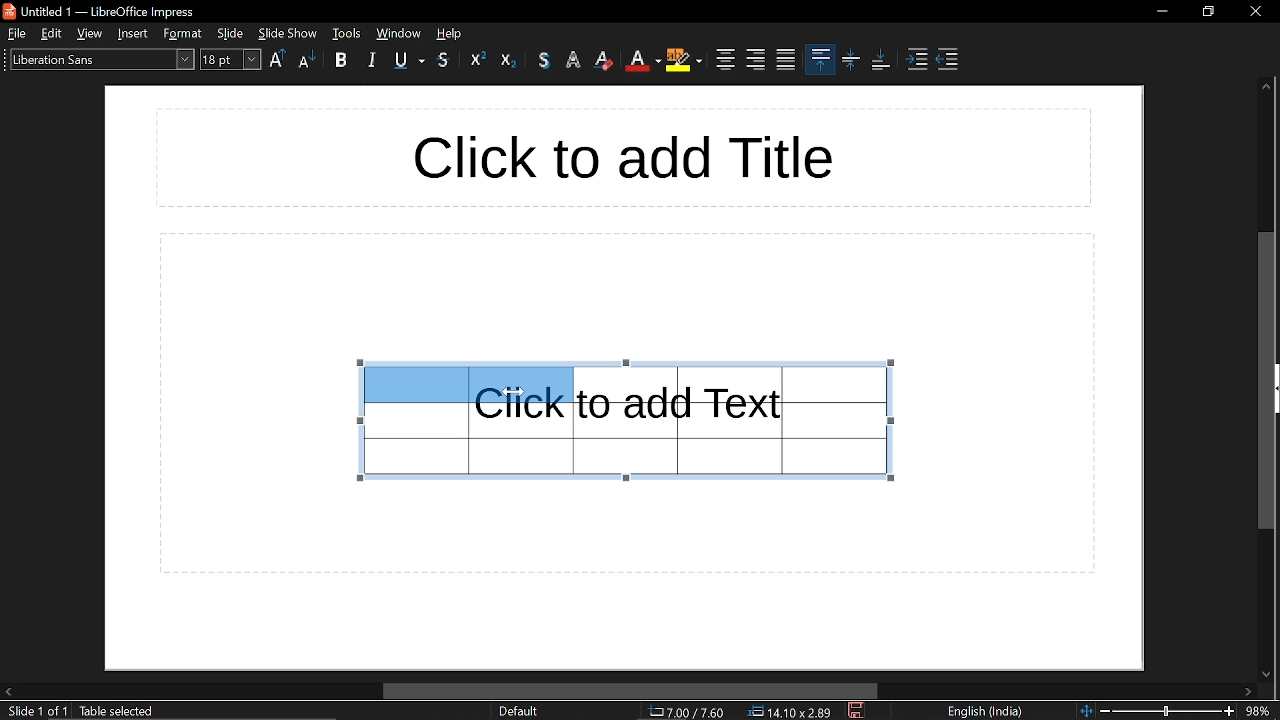 The height and width of the screenshot is (720, 1280). I want to click on center vertically, so click(851, 61).